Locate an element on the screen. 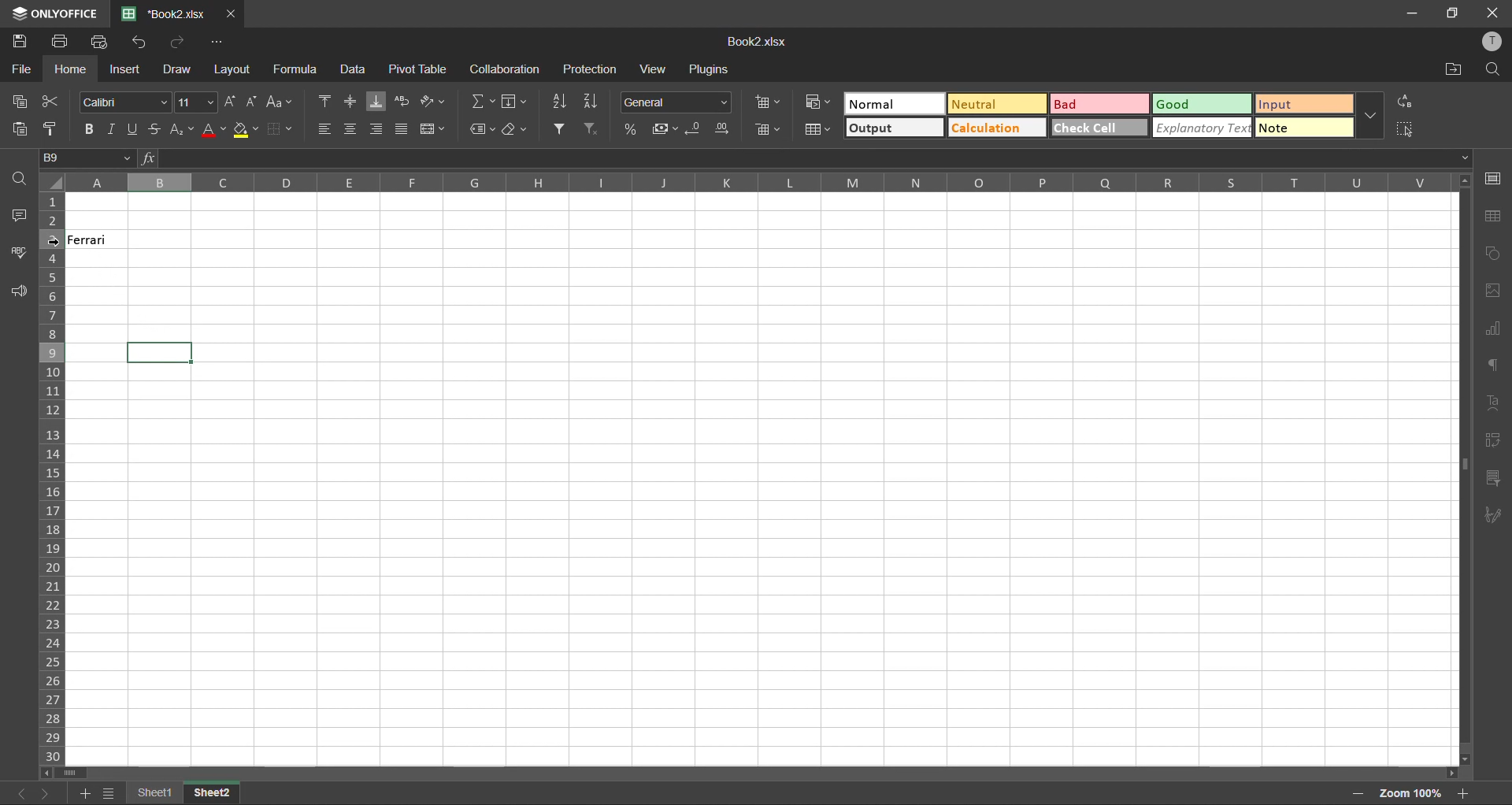 The image size is (1512, 805). insert cells is located at coordinates (769, 102).